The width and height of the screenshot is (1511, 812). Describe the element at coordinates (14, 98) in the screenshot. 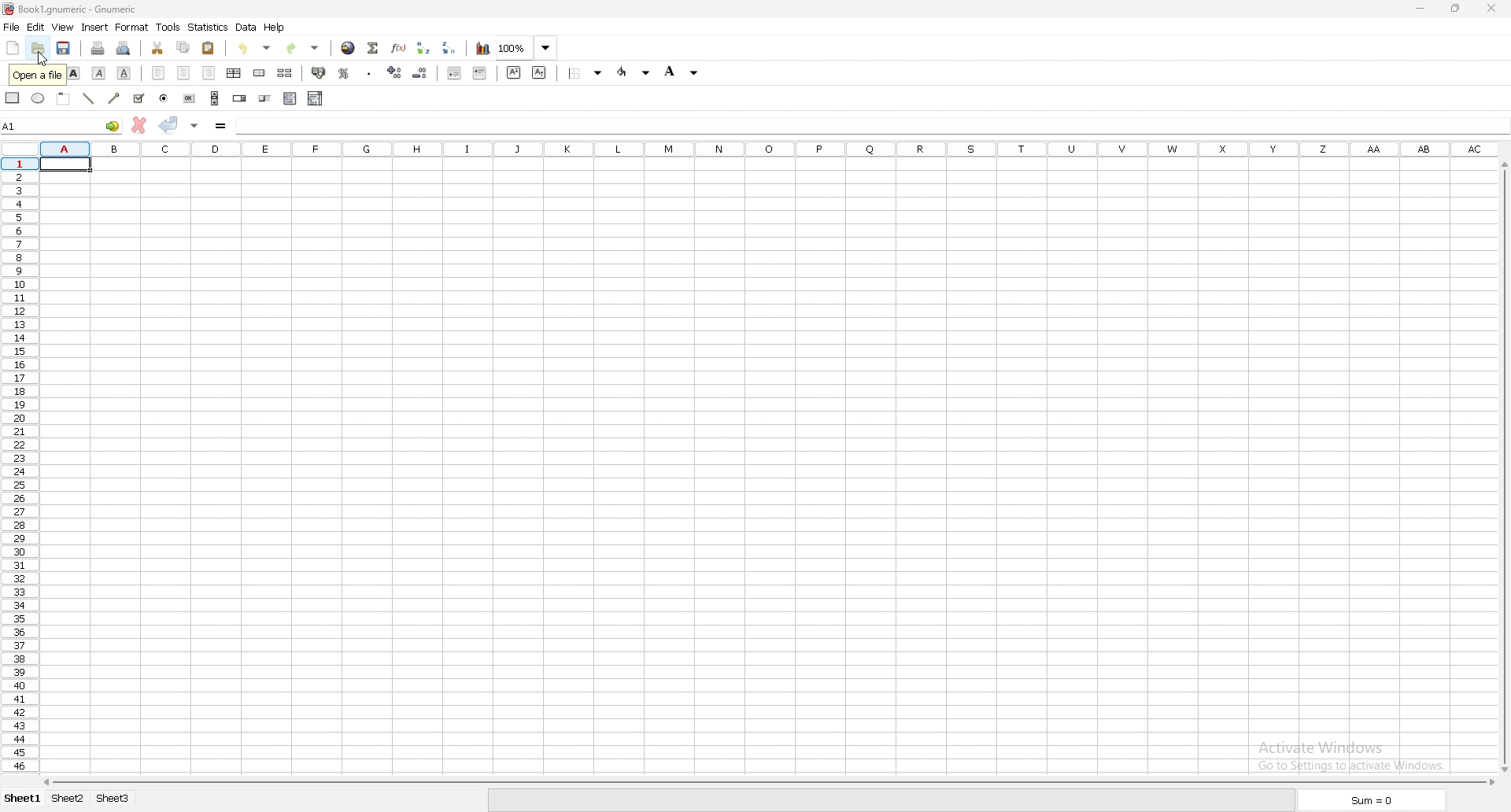

I see `rectangle` at that location.